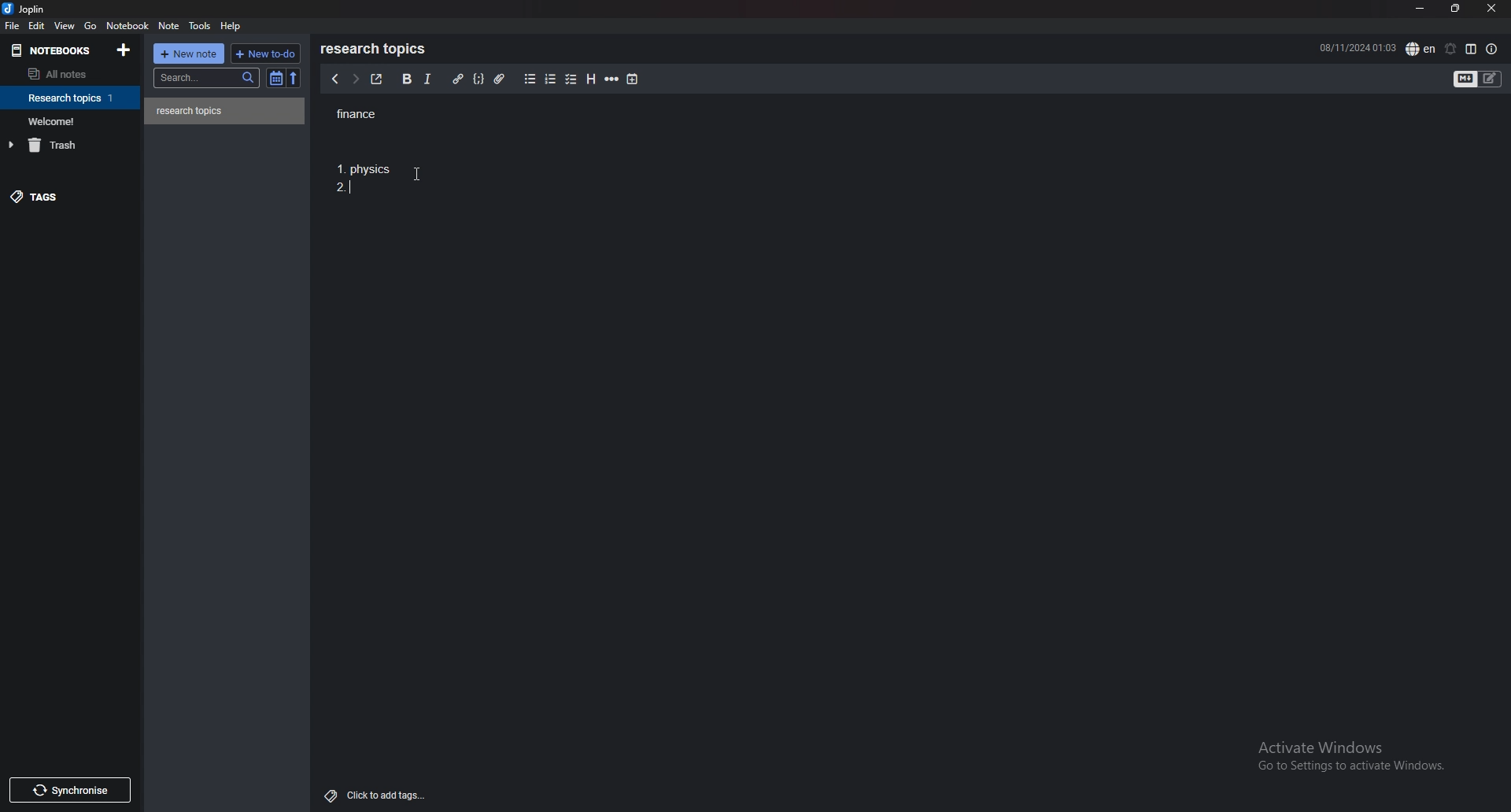  I want to click on 1. Physics 2. , so click(365, 183).